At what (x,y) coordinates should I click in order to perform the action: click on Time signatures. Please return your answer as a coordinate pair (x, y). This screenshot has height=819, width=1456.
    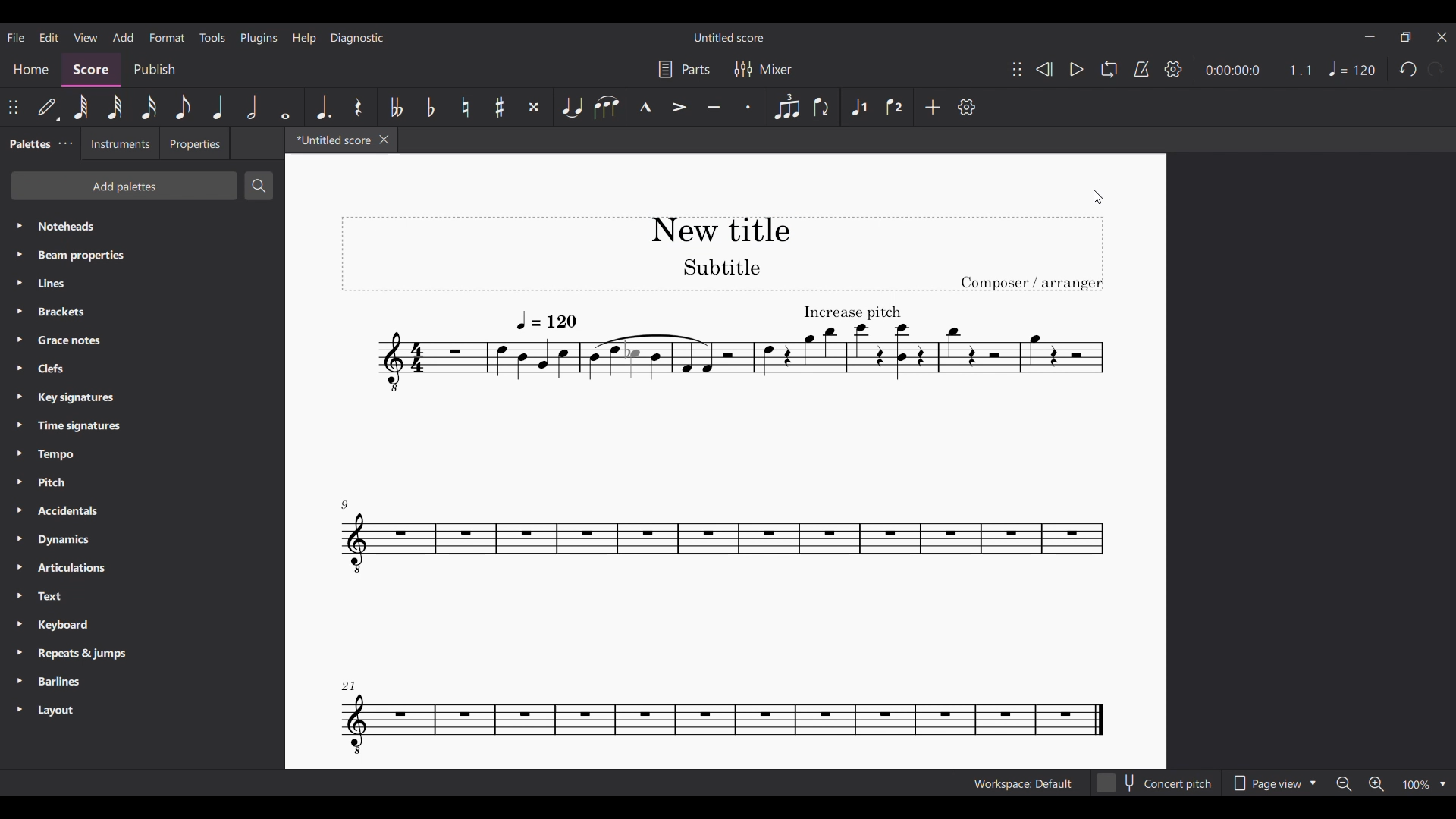
    Looking at the image, I should click on (142, 425).